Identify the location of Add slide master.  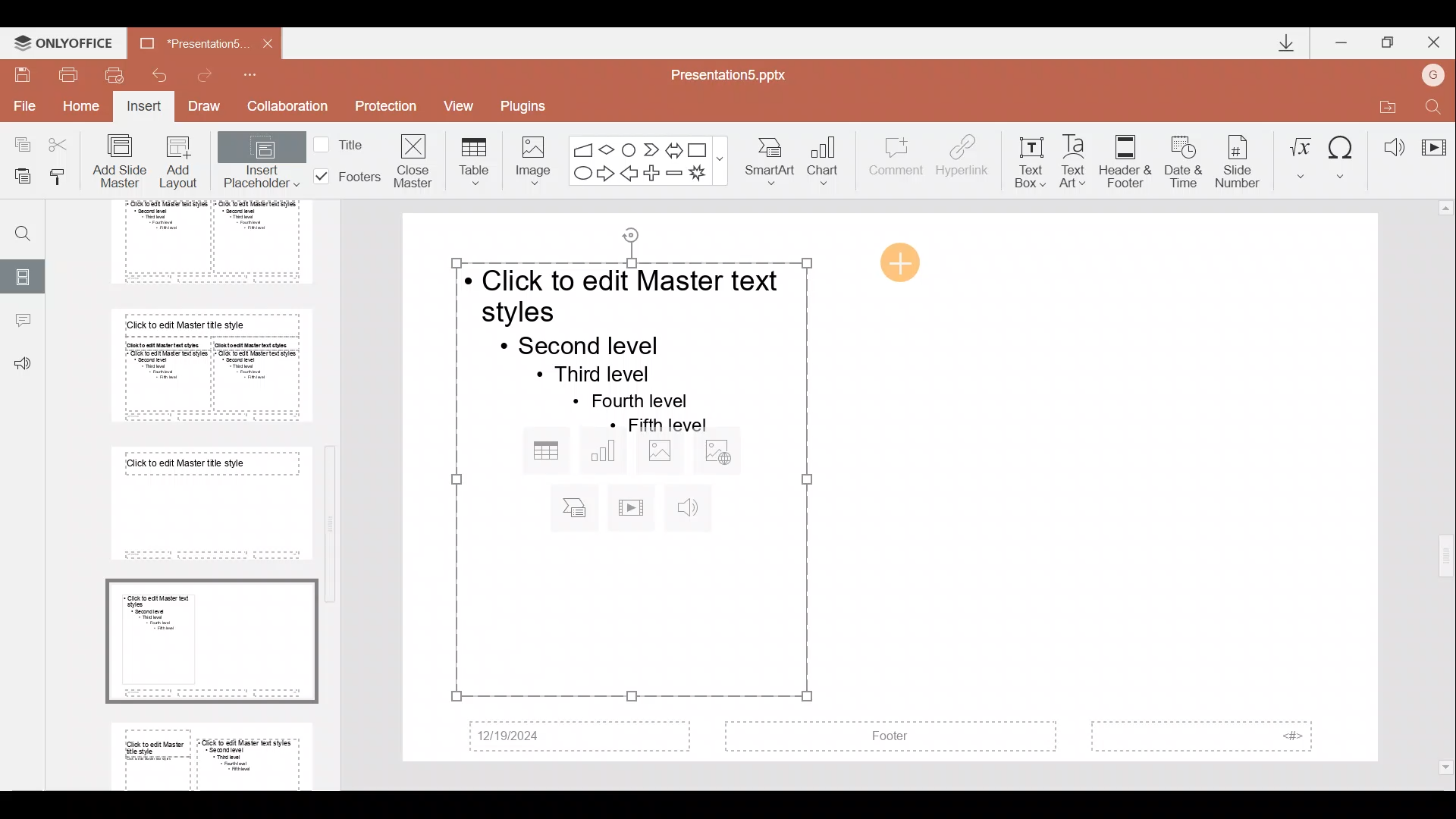
(123, 162).